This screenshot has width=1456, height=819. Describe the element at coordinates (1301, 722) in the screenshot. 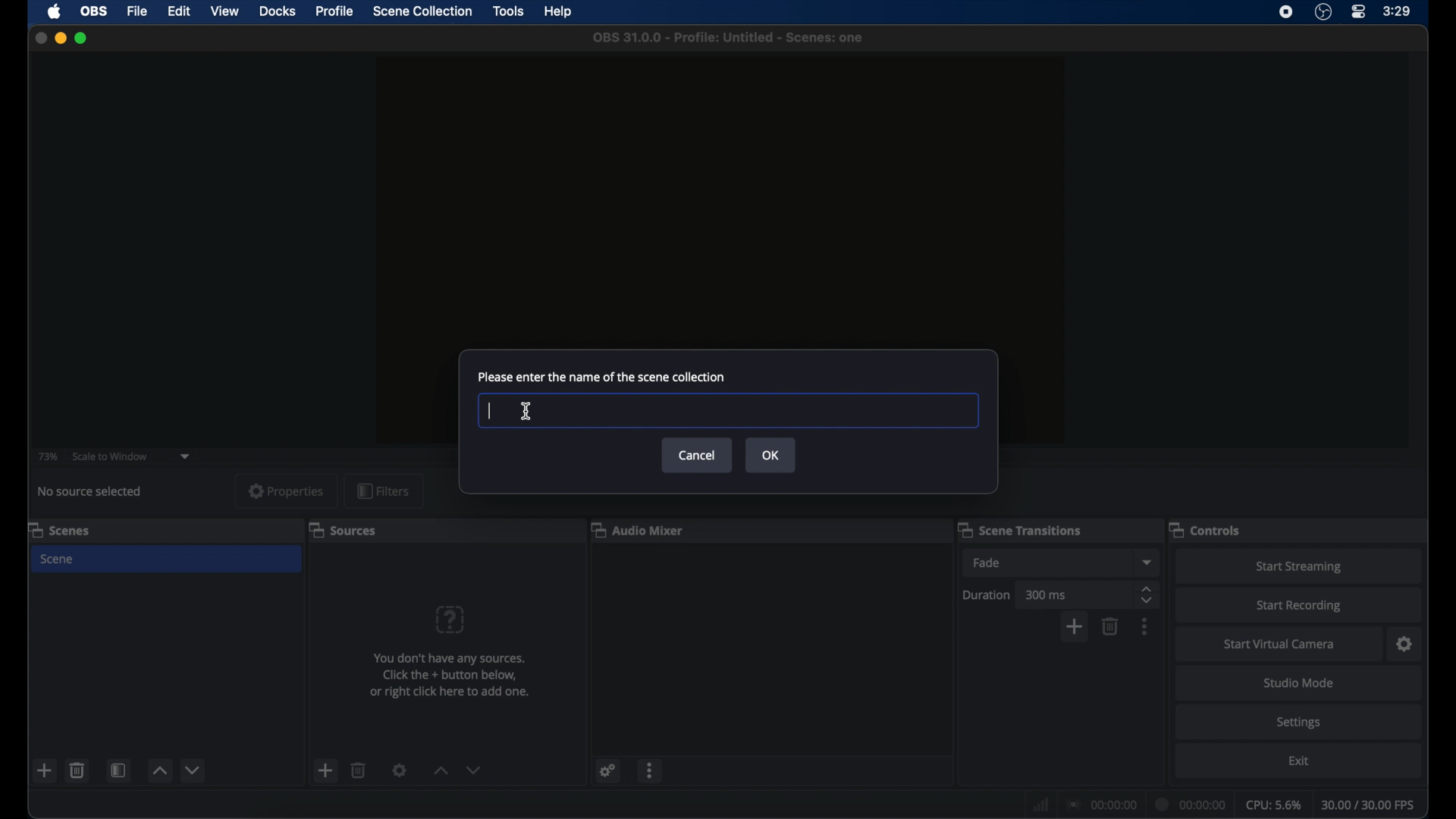

I see `settings` at that location.